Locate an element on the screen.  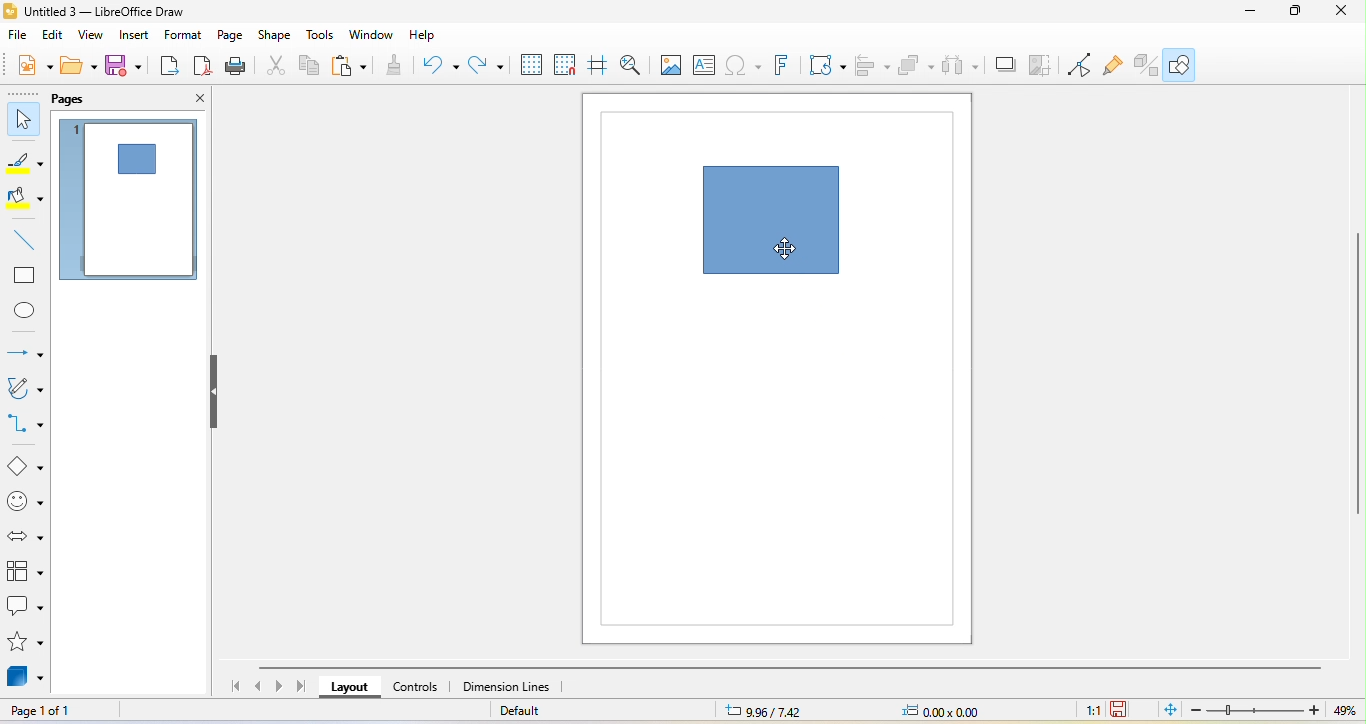
clone formatting is located at coordinates (394, 66).